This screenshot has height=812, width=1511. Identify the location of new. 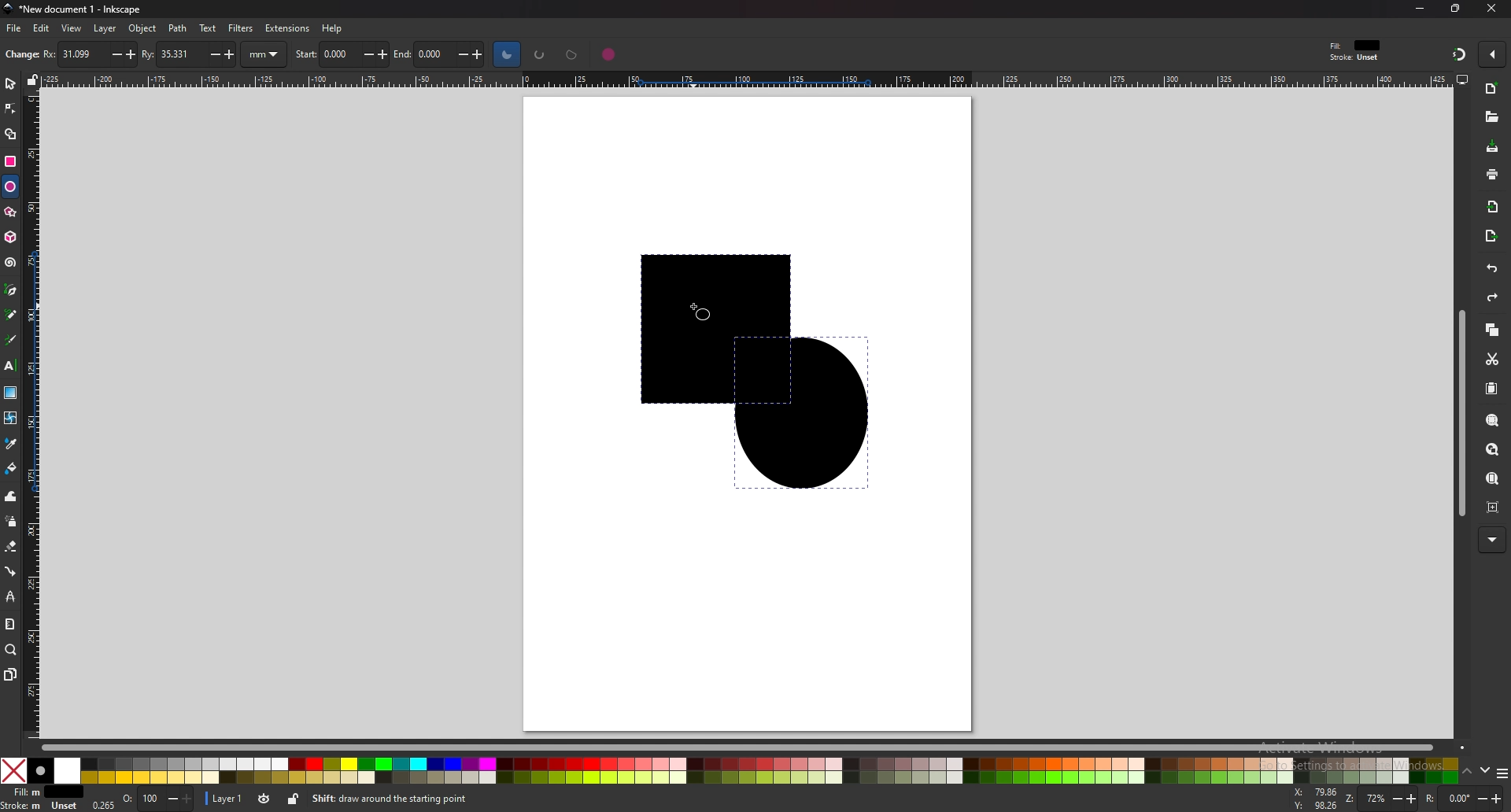
(1494, 88).